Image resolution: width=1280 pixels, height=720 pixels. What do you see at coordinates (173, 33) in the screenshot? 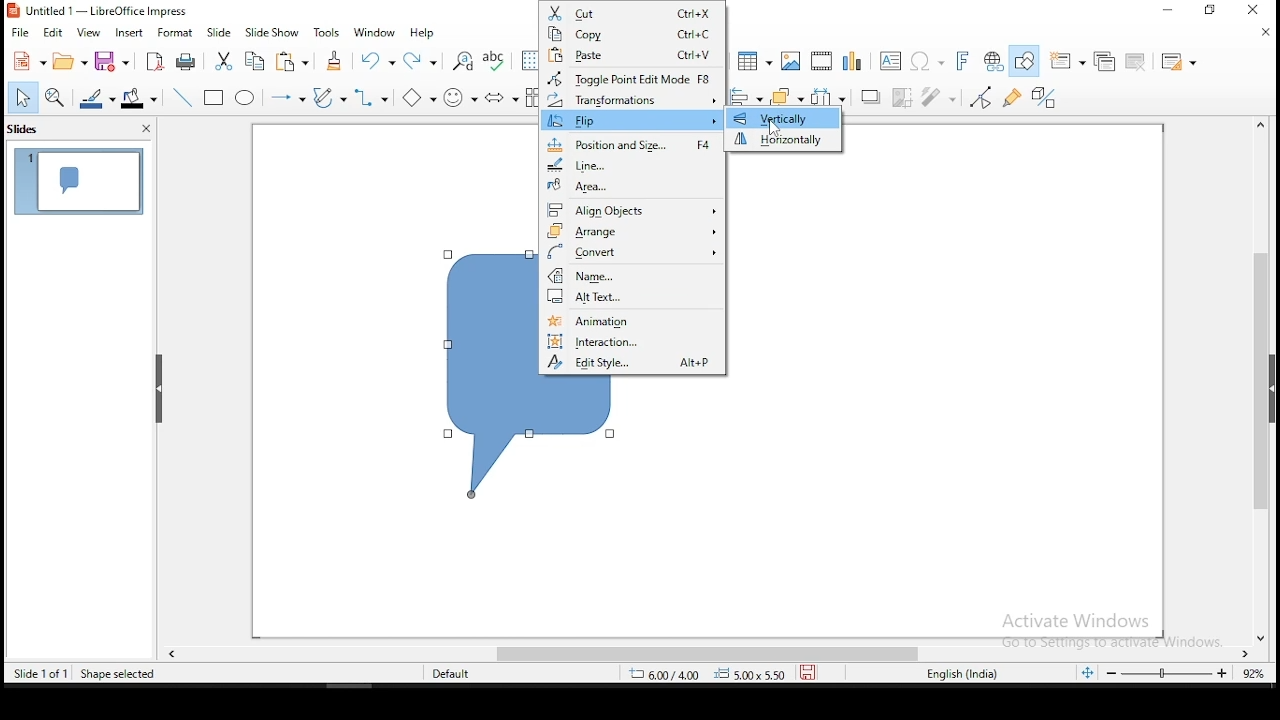
I see `format` at bounding box center [173, 33].